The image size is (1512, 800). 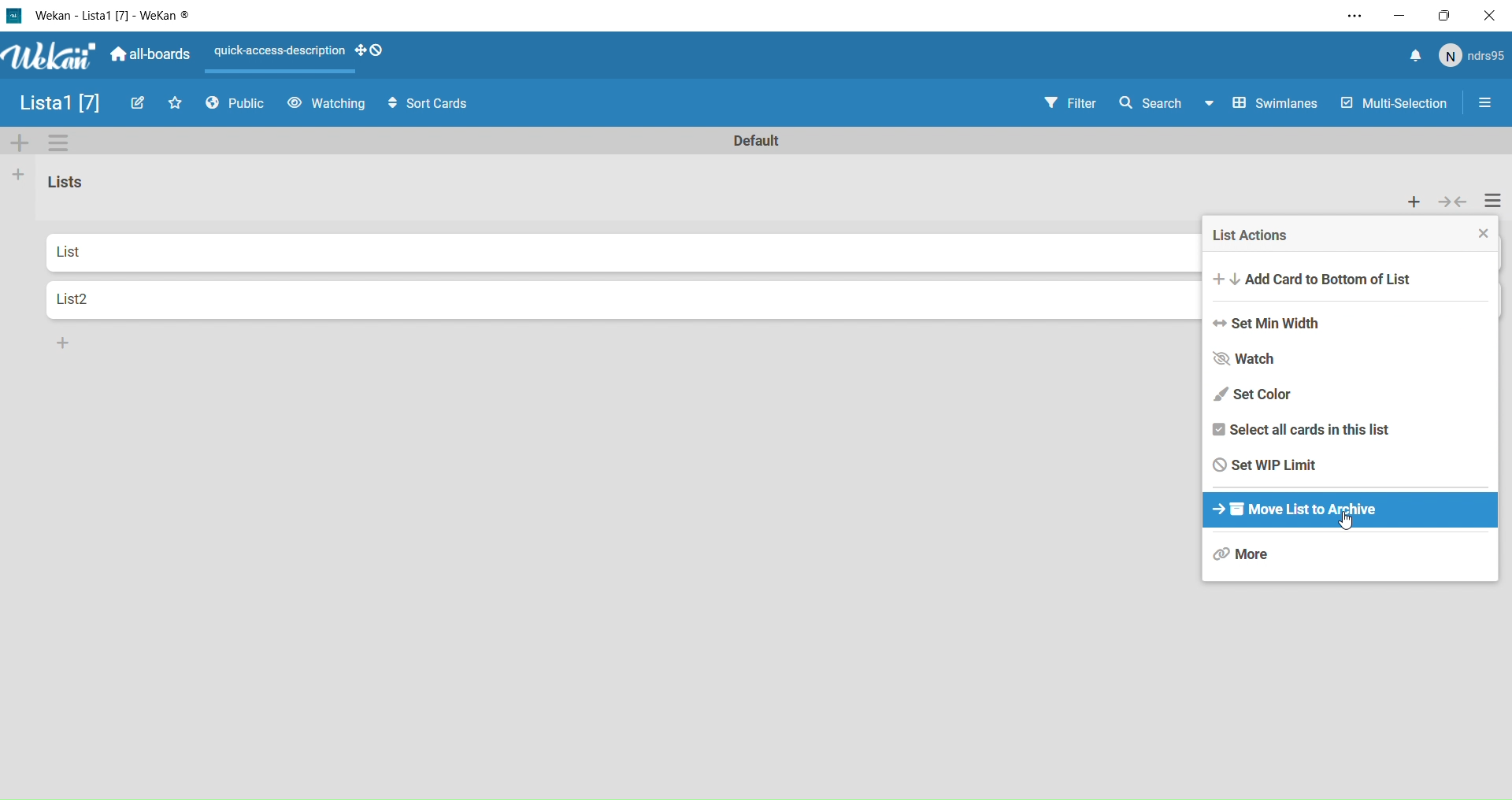 What do you see at coordinates (175, 106) in the screenshot?
I see `Favourites` at bounding box center [175, 106].